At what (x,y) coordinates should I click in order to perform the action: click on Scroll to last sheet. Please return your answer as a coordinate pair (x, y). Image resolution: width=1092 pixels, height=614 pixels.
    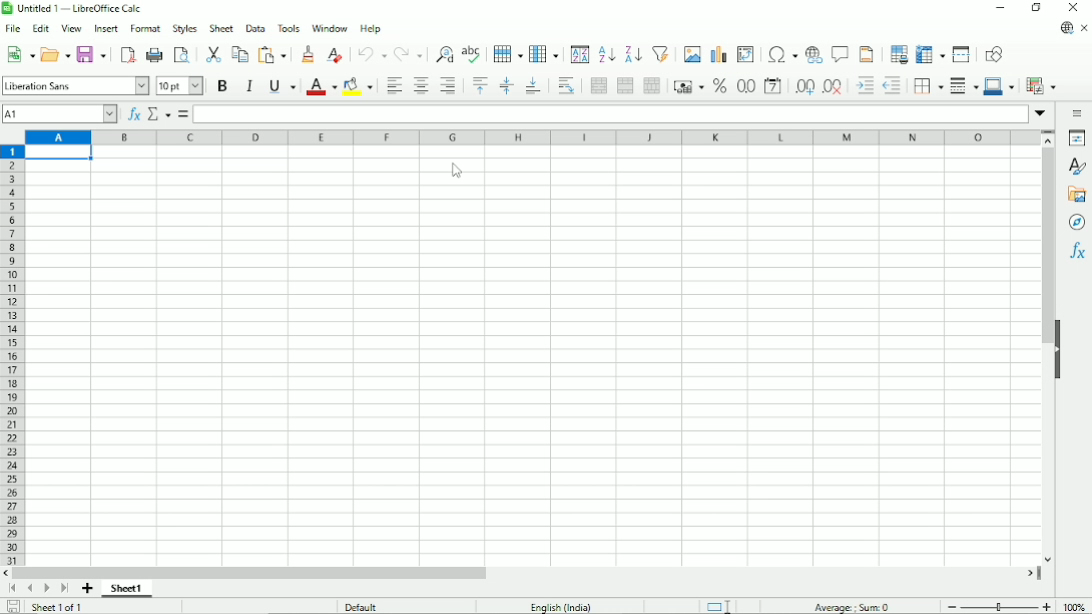
    Looking at the image, I should click on (64, 589).